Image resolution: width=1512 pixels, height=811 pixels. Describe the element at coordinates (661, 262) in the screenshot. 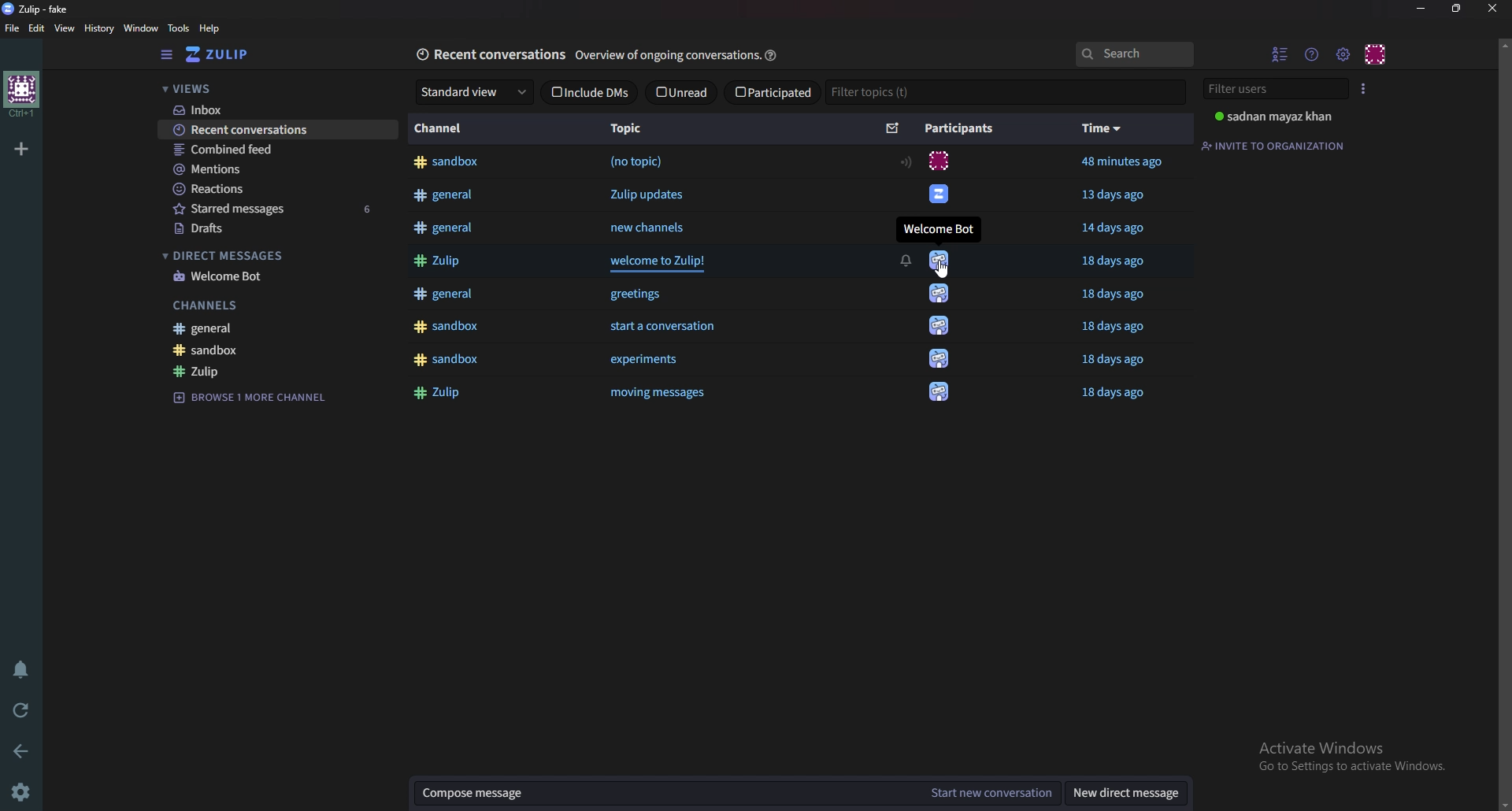

I see `welcome to Zulip!` at that location.